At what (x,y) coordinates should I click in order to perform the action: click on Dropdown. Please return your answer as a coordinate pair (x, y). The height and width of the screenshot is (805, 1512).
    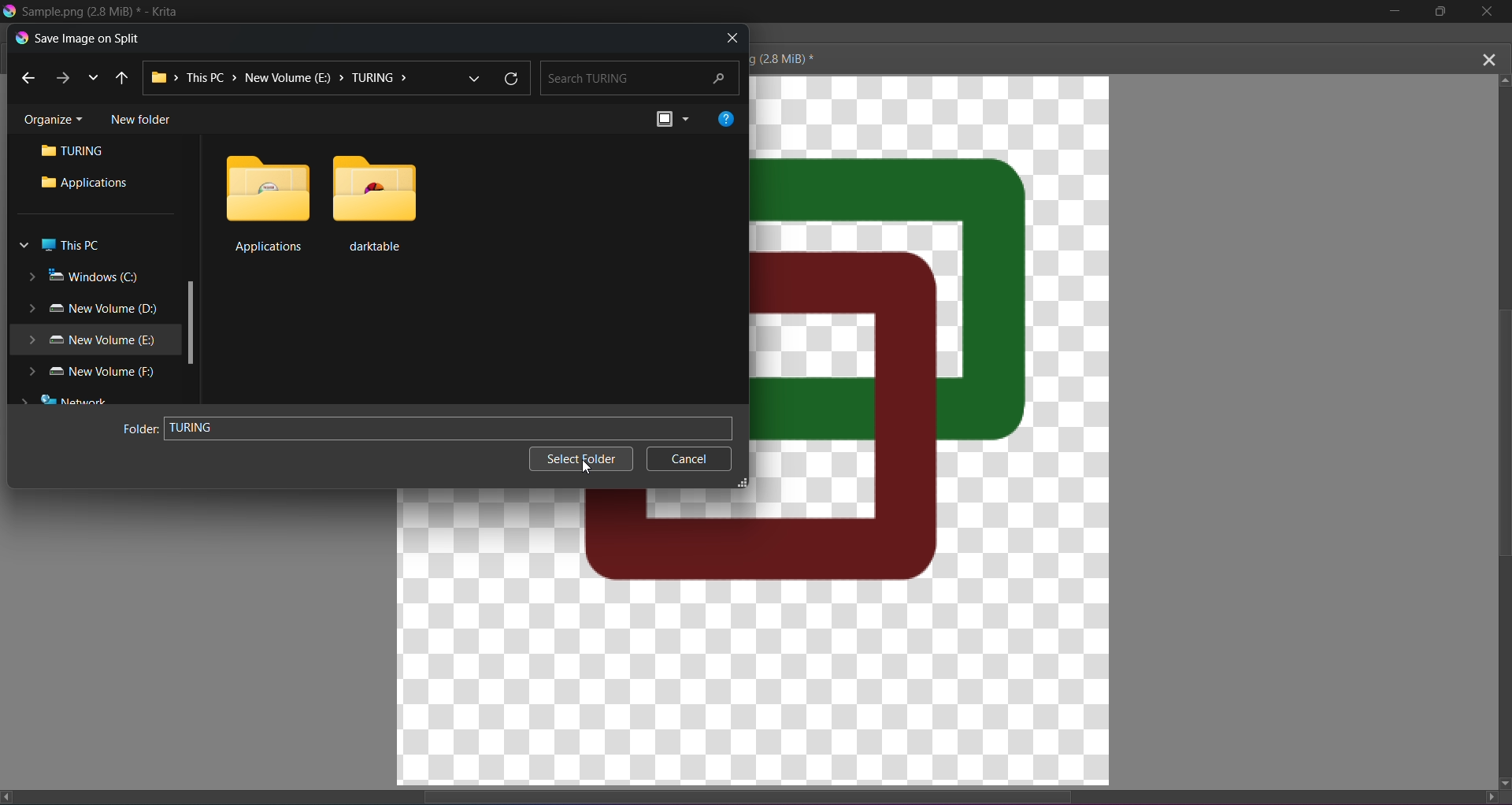
    Looking at the image, I should click on (94, 78).